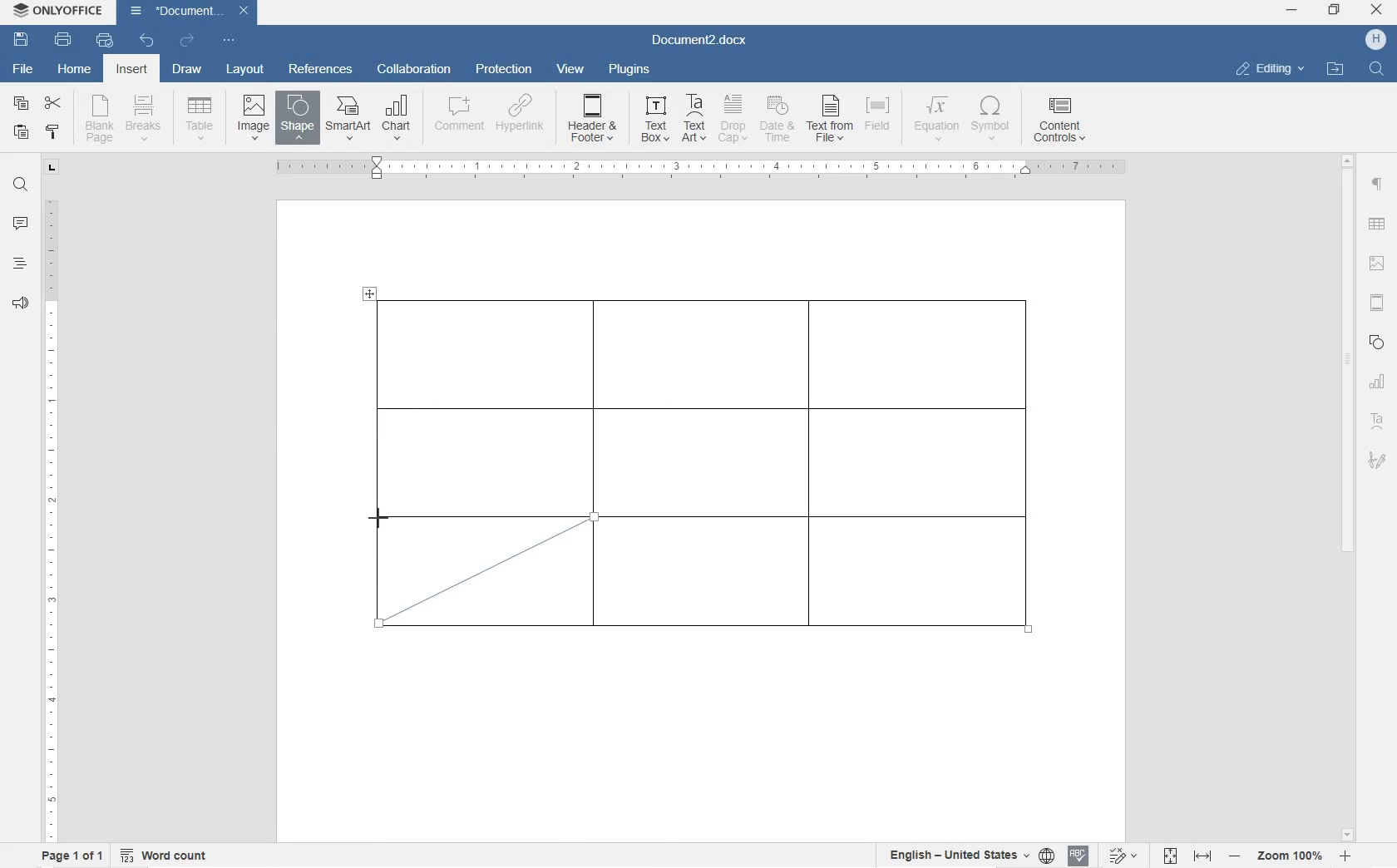 The width and height of the screenshot is (1397, 868). What do you see at coordinates (187, 42) in the screenshot?
I see `redo` at bounding box center [187, 42].